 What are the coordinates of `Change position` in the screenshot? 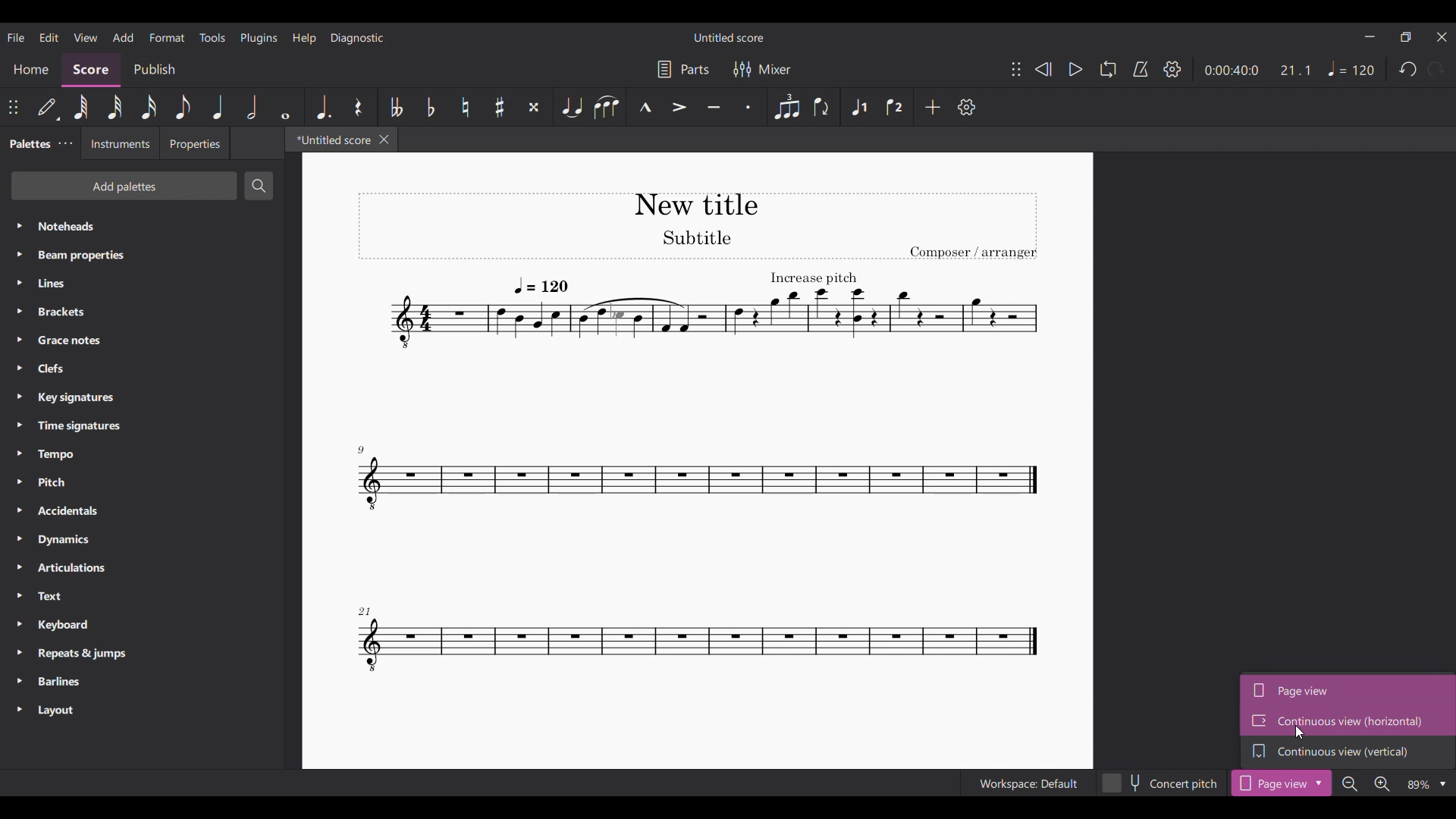 It's located at (13, 107).